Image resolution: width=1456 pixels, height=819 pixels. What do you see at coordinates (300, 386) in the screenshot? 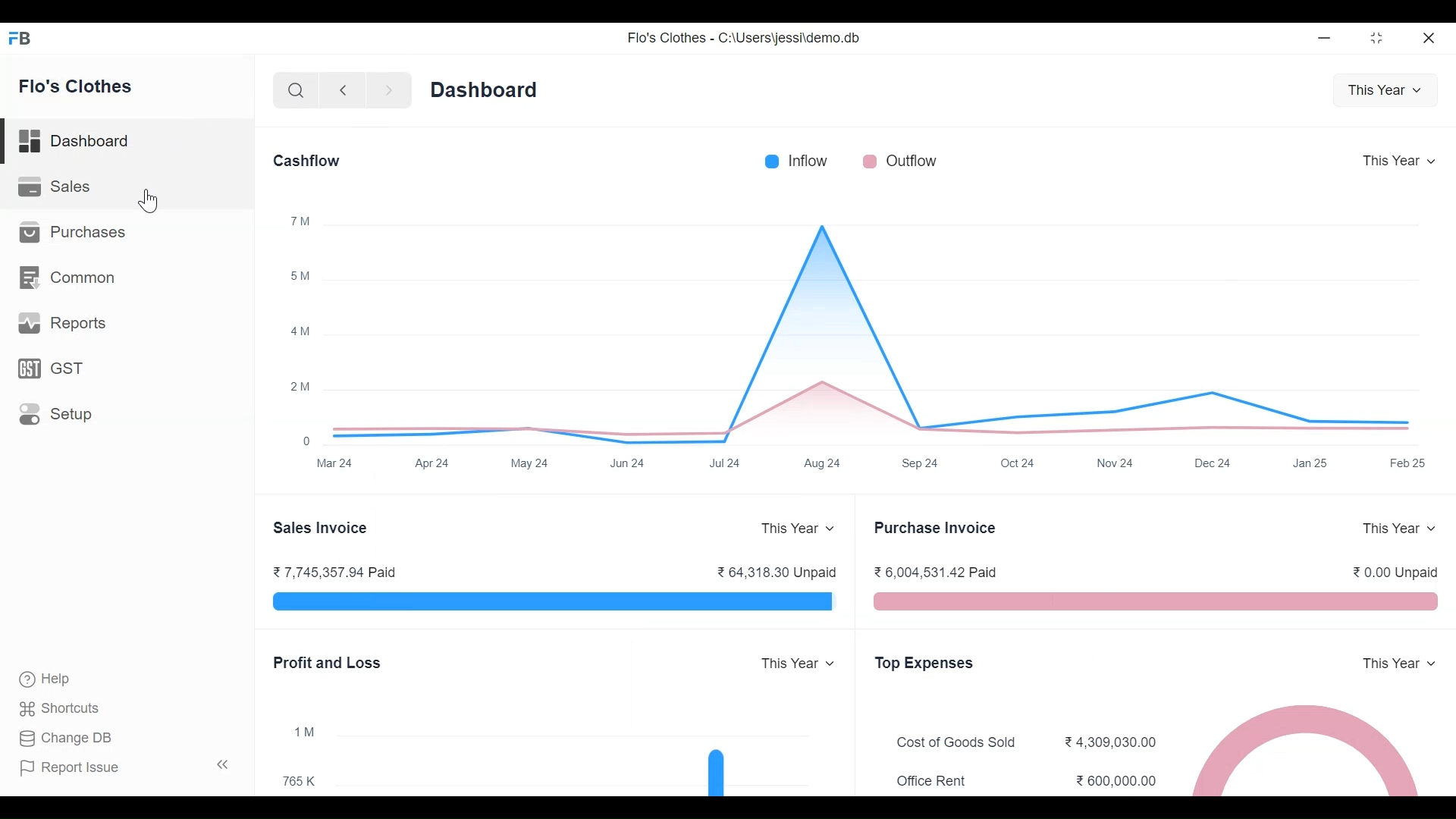
I see `2M` at bounding box center [300, 386].